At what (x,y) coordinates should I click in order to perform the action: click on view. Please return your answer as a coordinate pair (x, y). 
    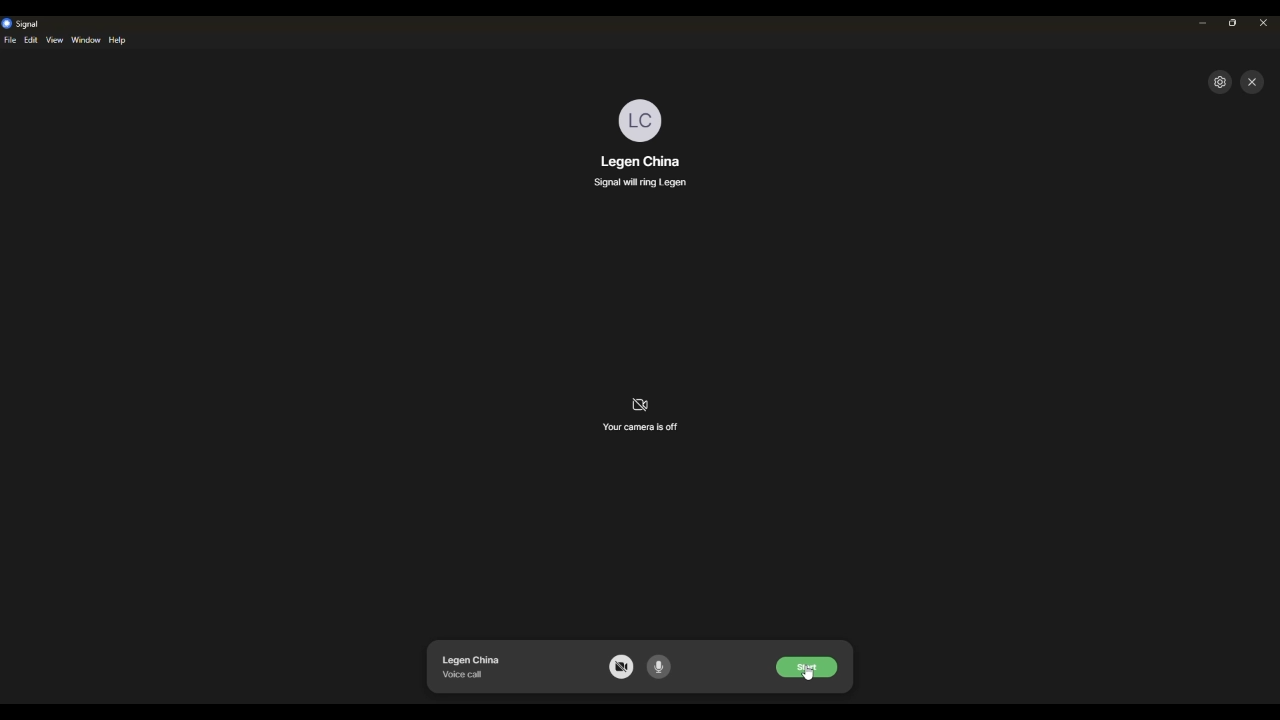
    Looking at the image, I should click on (56, 41).